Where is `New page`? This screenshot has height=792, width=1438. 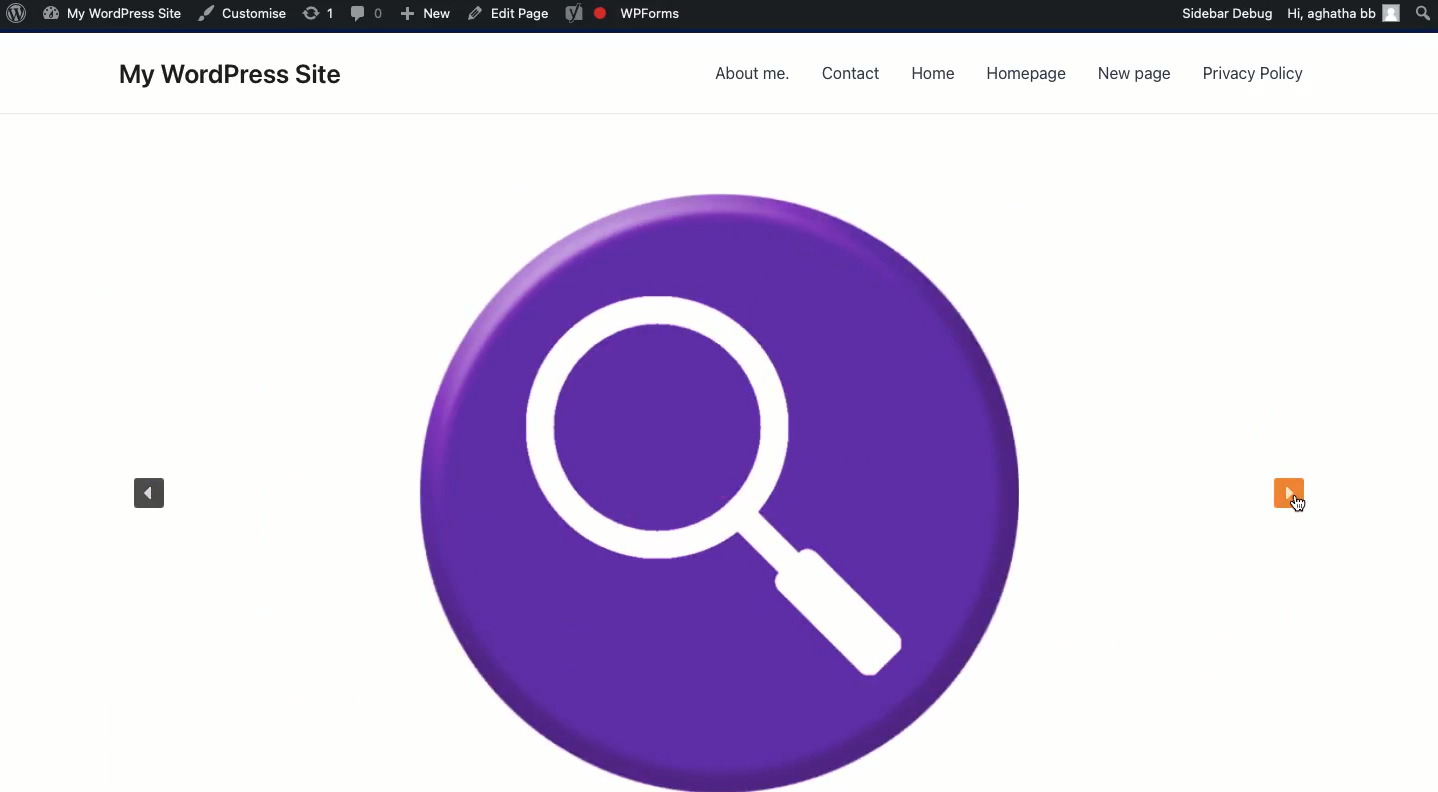
New page is located at coordinates (1129, 77).